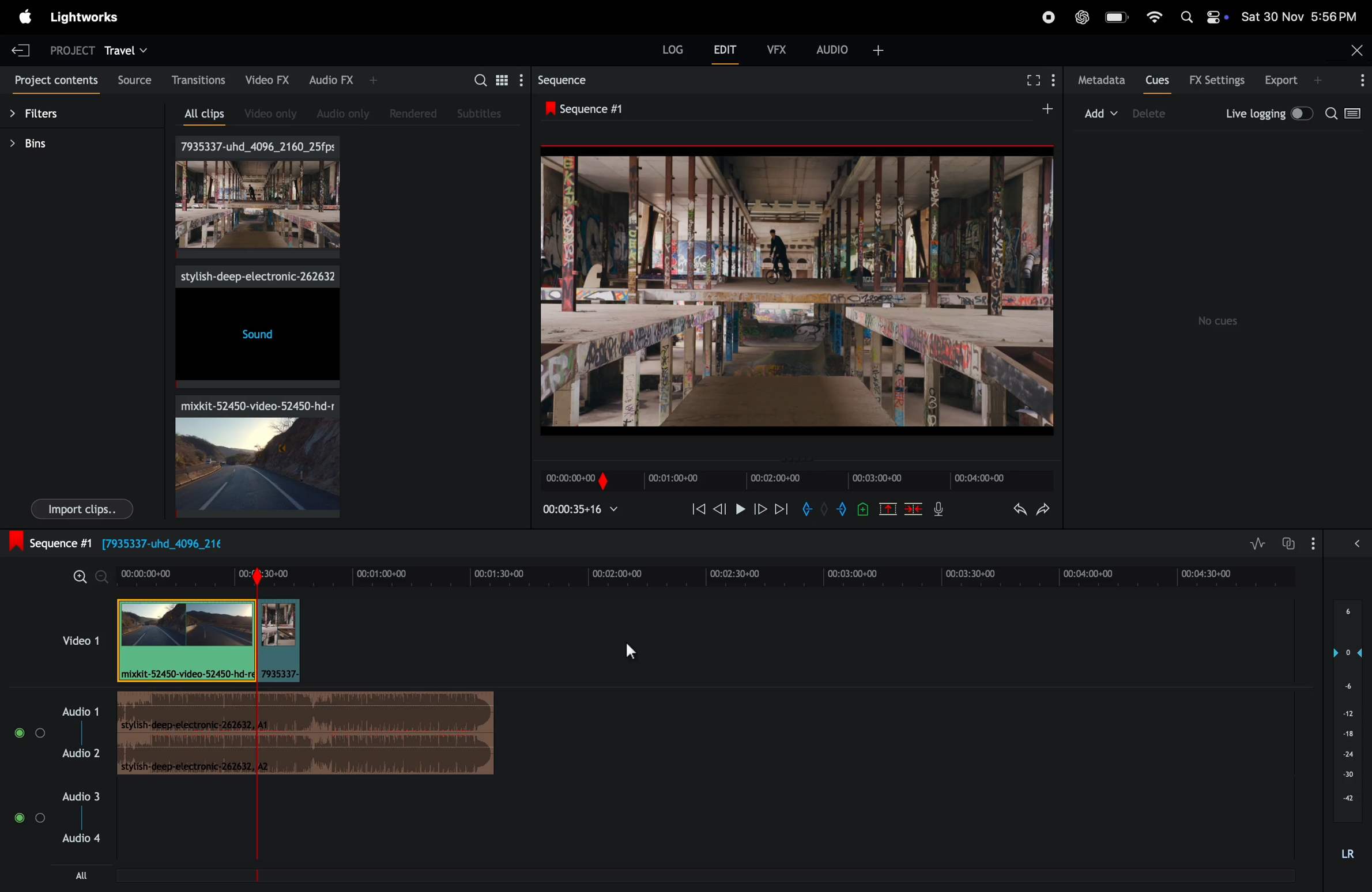 This screenshot has height=892, width=1372. What do you see at coordinates (562, 82) in the screenshot?
I see `sequence` at bounding box center [562, 82].